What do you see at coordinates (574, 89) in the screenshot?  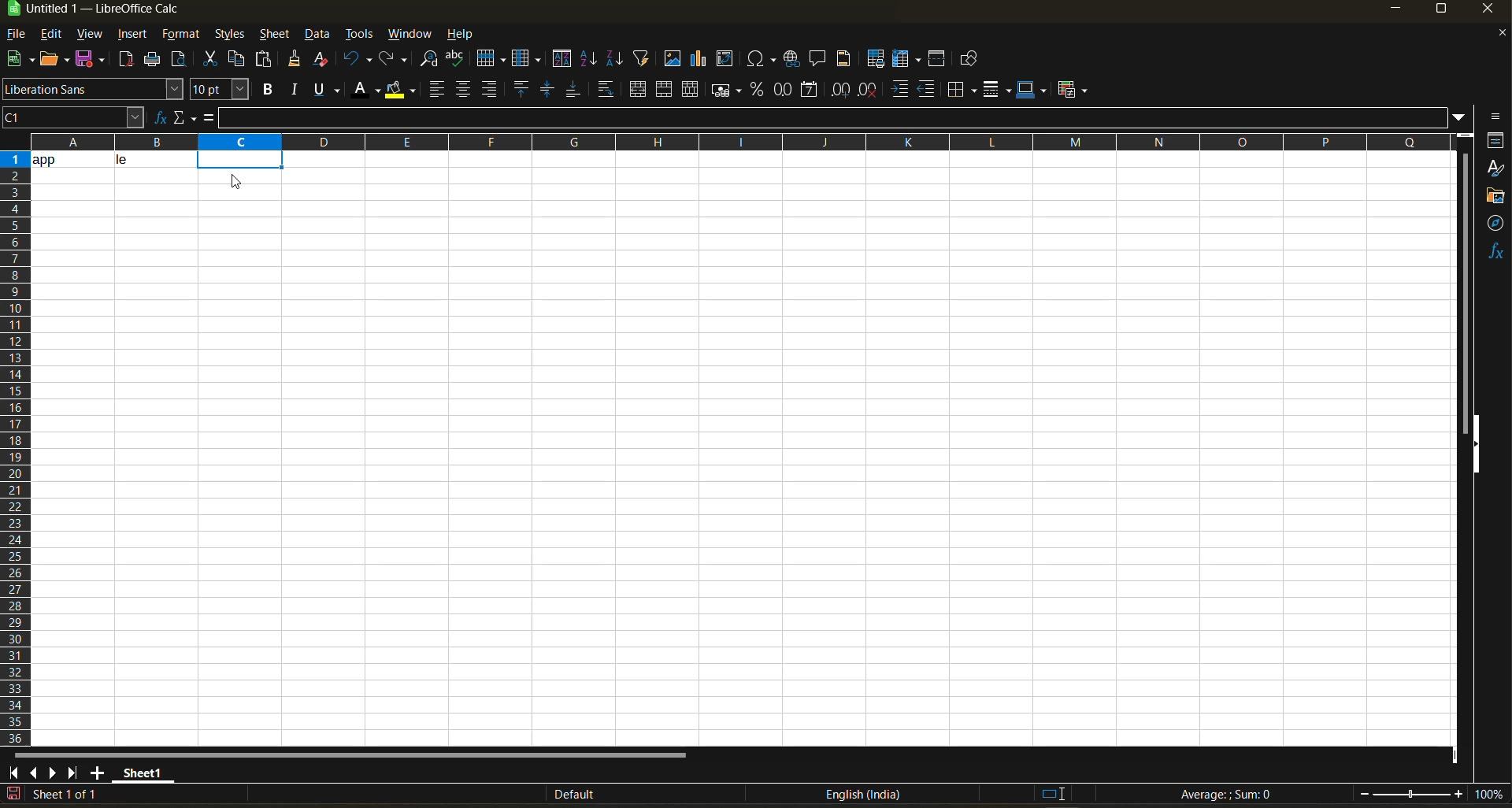 I see `align bottom` at bounding box center [574, 89].